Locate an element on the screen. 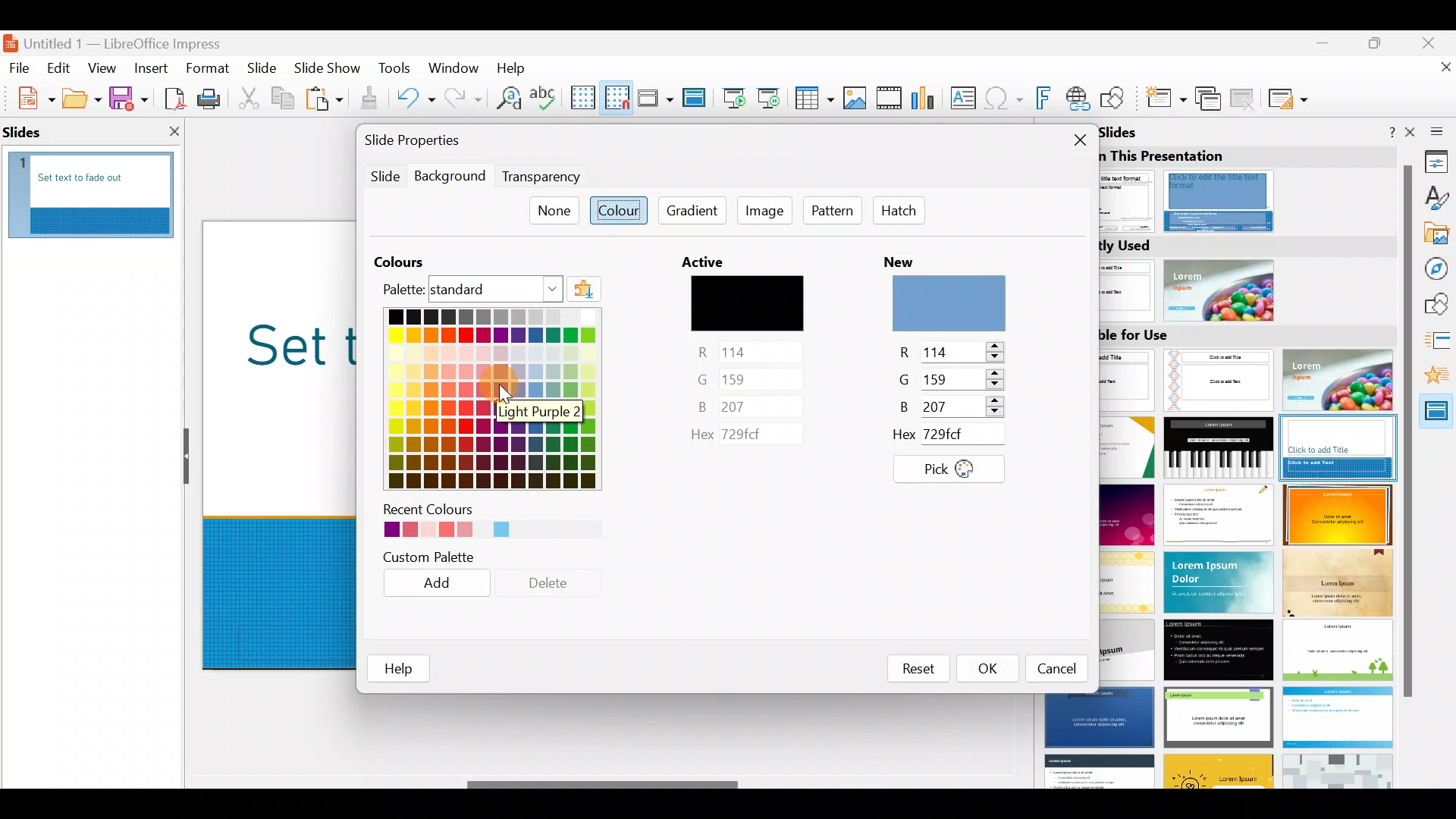 This screenshot has width=1456, height=819. Cancel is located at coordinates (1051, 669).